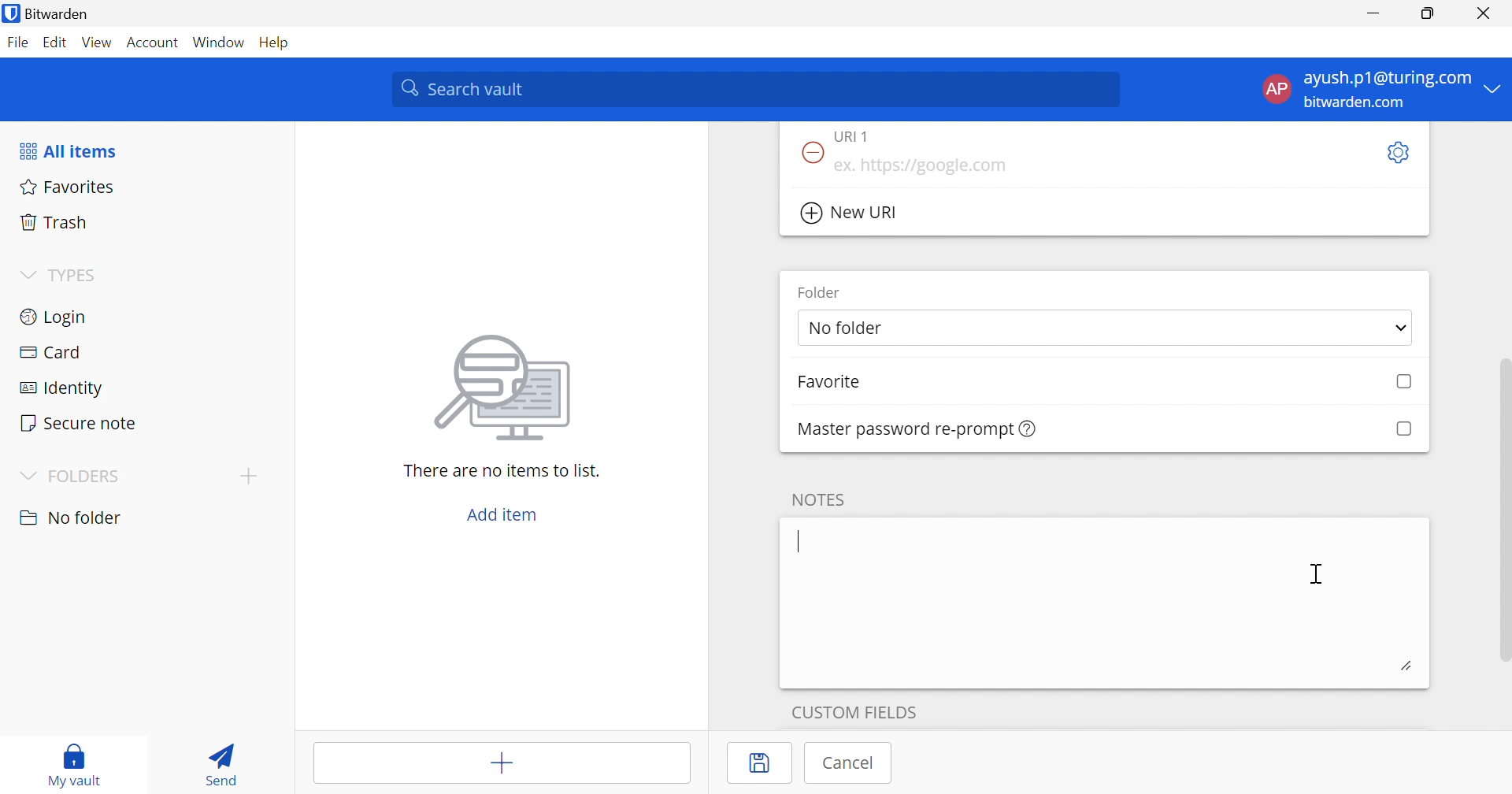 Image resolution: width=1512 pixels, height=794 pixels. I want to click on Send, so click(217, 761).